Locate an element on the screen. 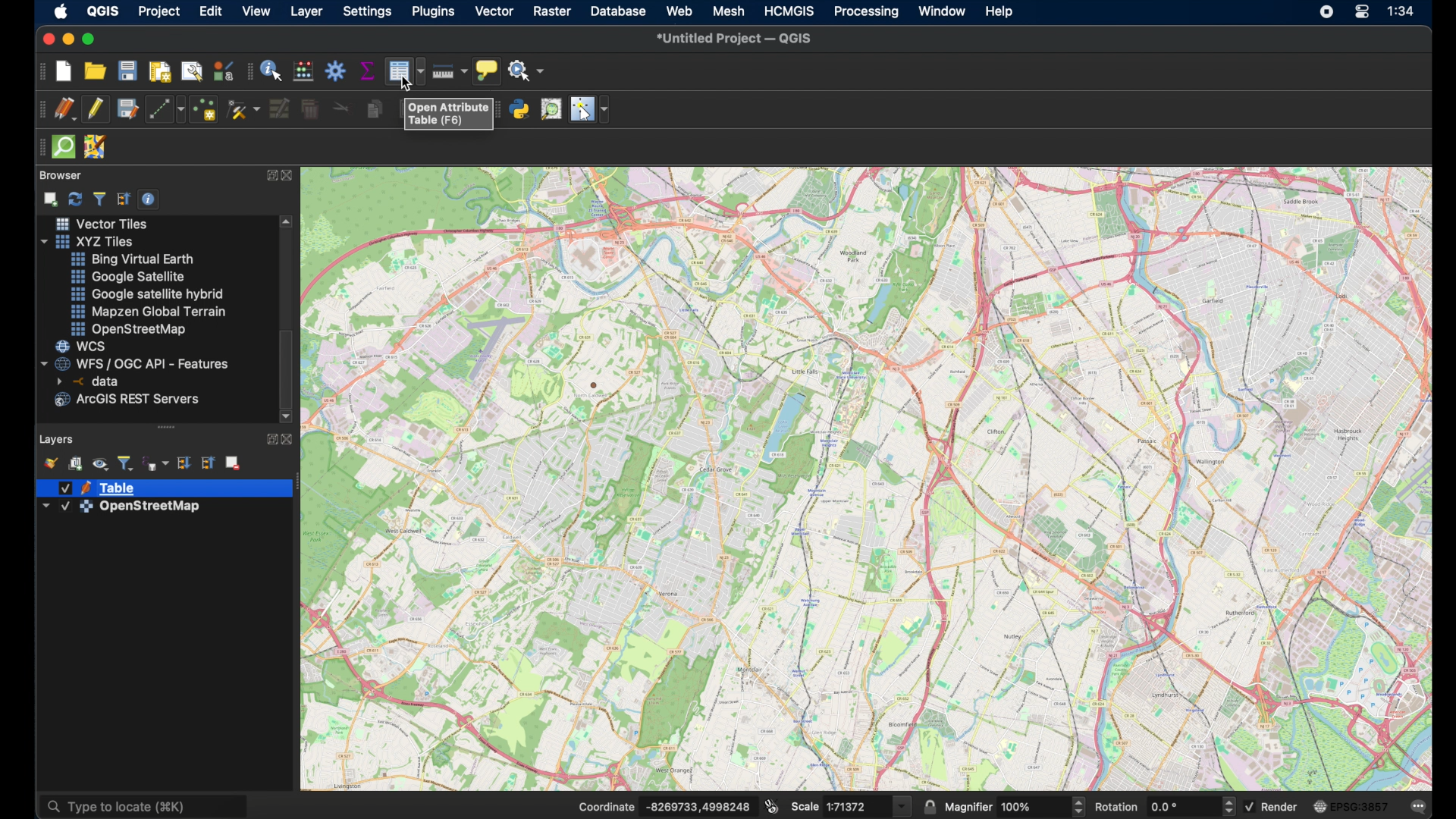 The image size is (1456, 819). drag handle is located at coordinates (170, 428).